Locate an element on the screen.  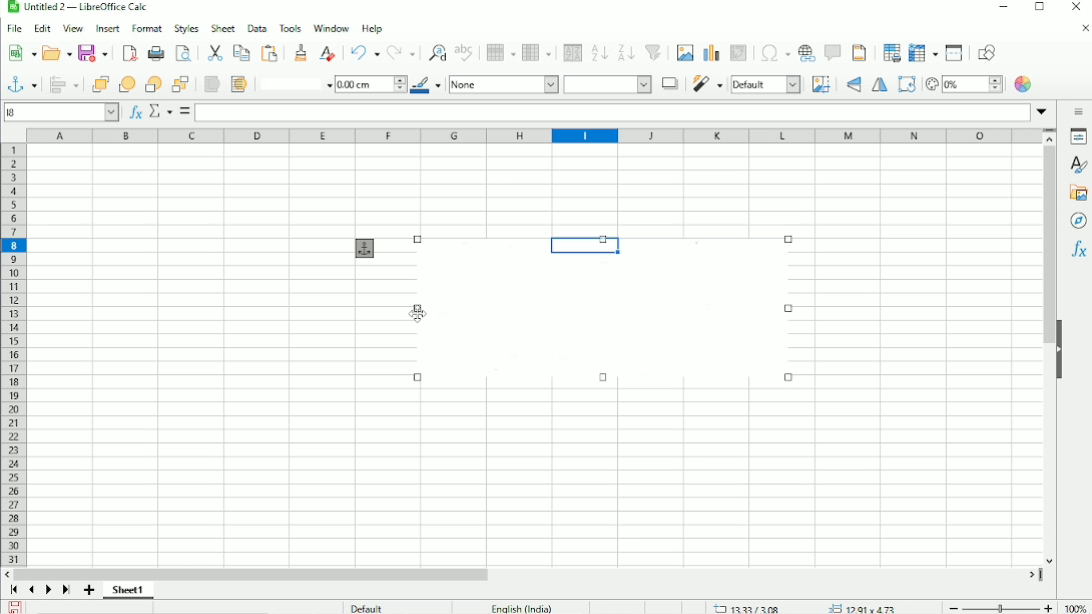
File is located at coordinates (14, 29).